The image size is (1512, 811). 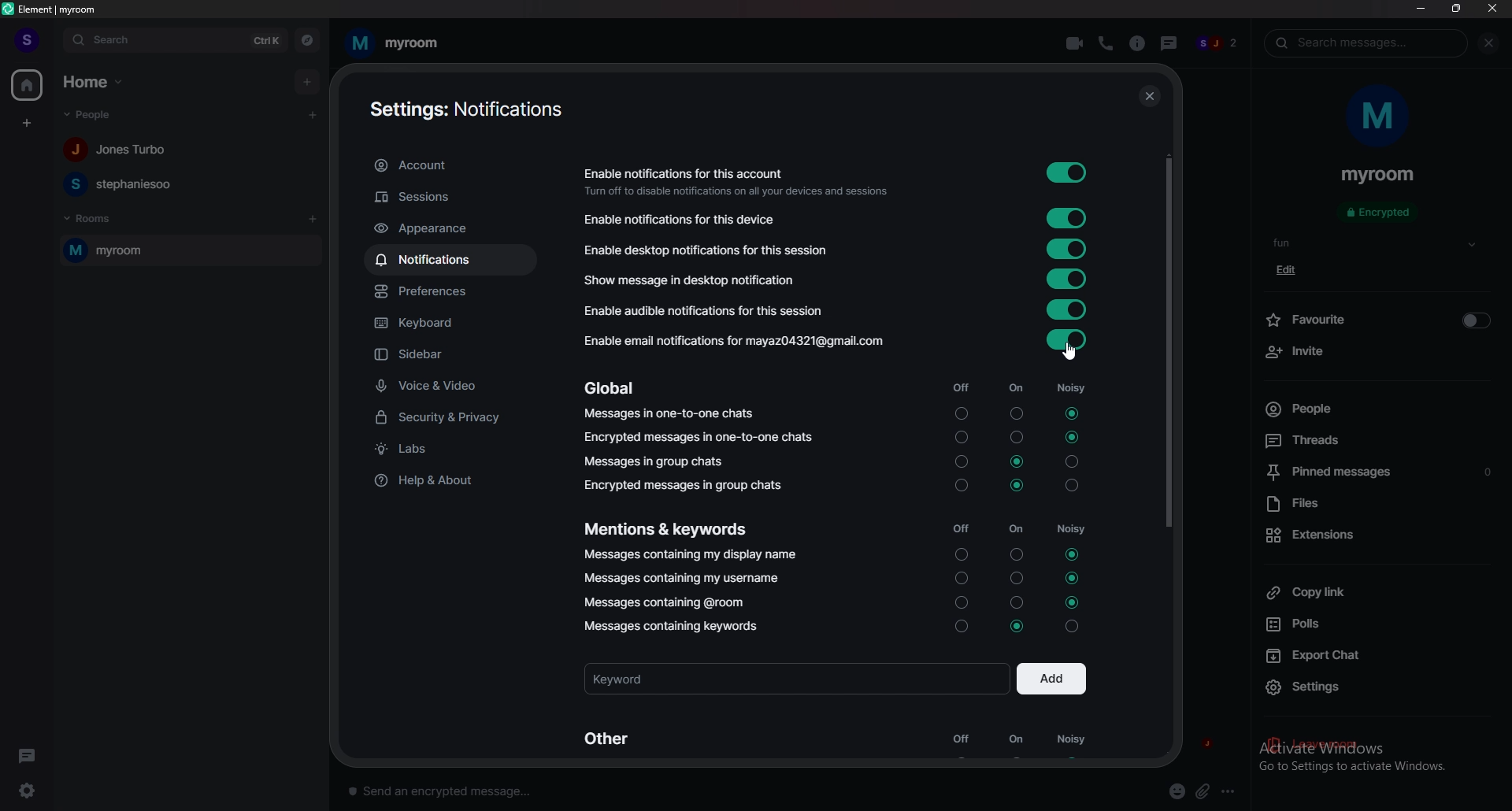 What do you see at coordinates (658, 461) in the screenshot?
I see `messages in group chats` at bounding box center [658, 461].